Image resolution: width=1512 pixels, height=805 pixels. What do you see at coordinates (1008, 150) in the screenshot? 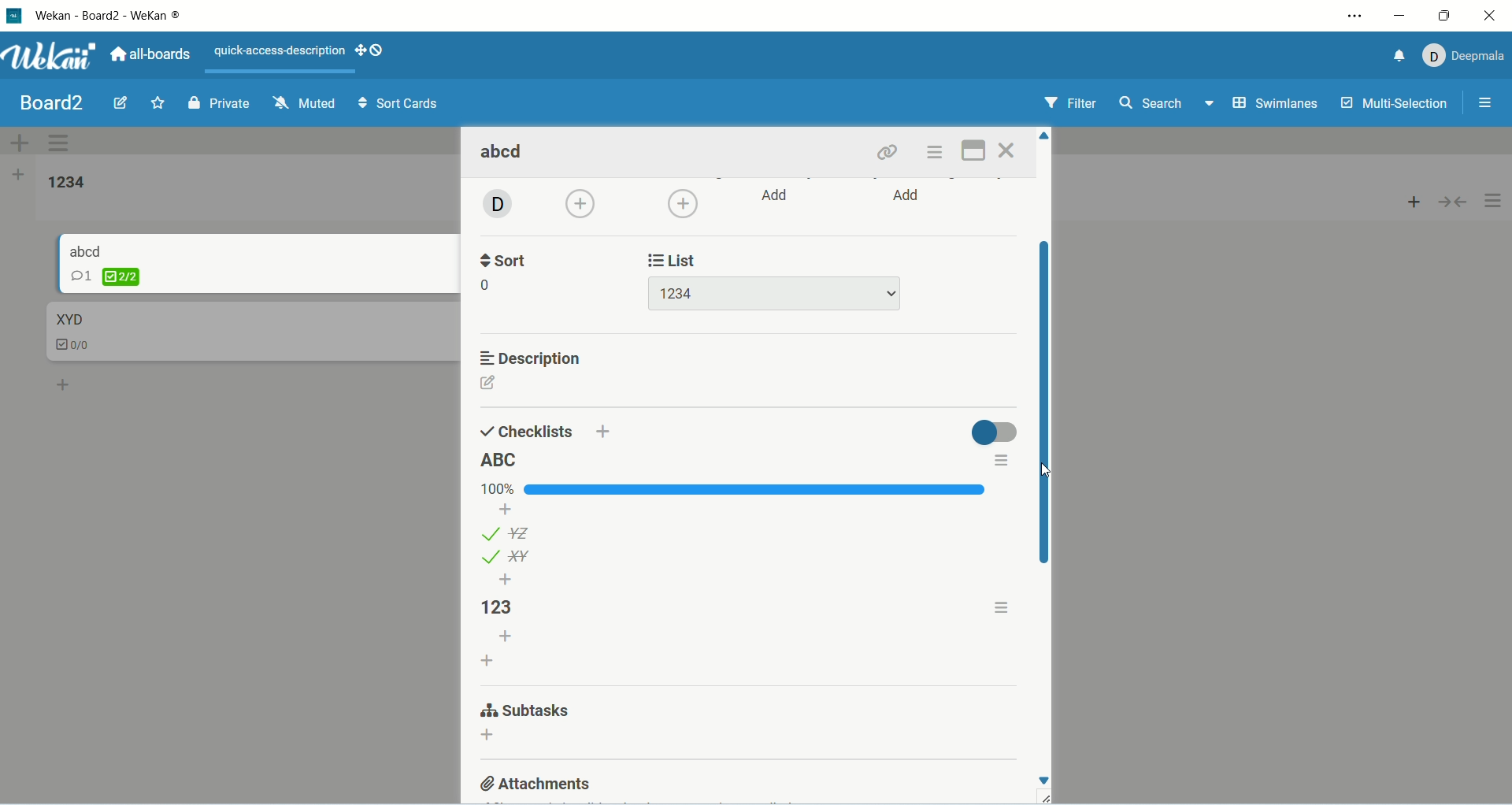
I see `close` at bounding box center [1008, 150].